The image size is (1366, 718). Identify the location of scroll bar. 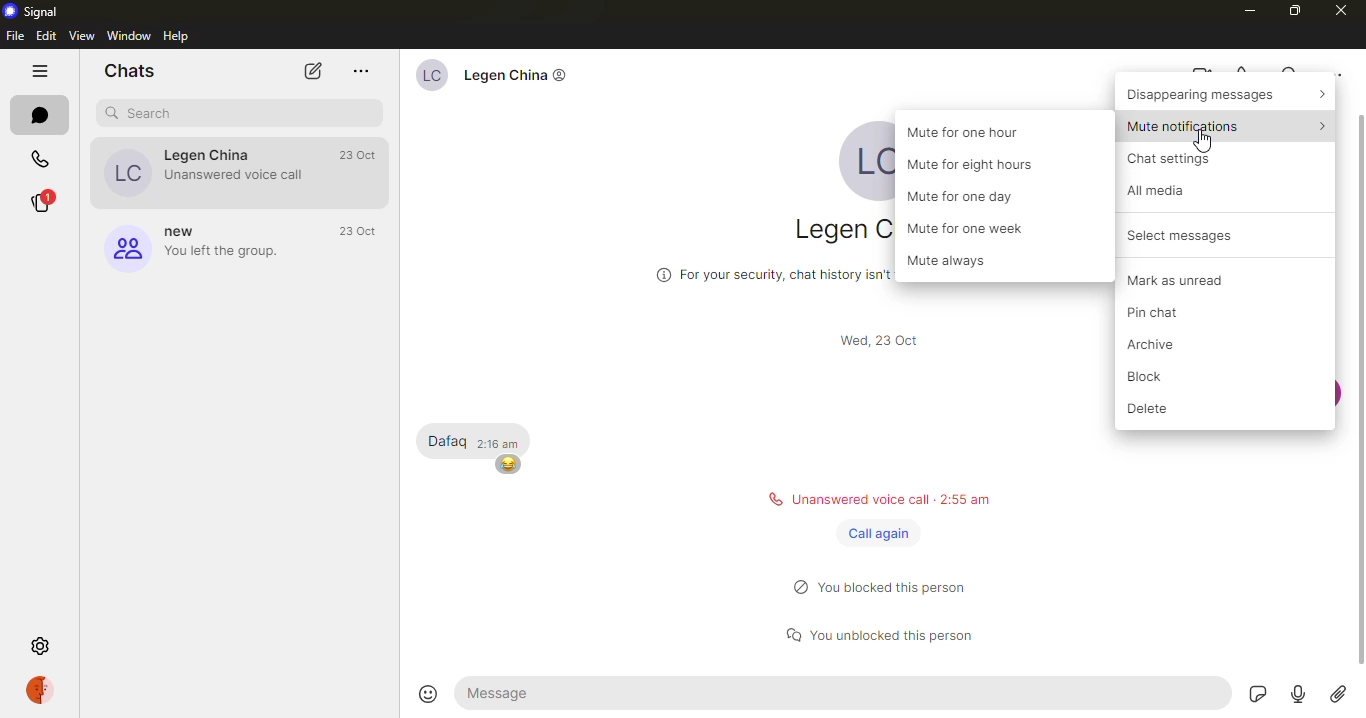
(1360, 387).